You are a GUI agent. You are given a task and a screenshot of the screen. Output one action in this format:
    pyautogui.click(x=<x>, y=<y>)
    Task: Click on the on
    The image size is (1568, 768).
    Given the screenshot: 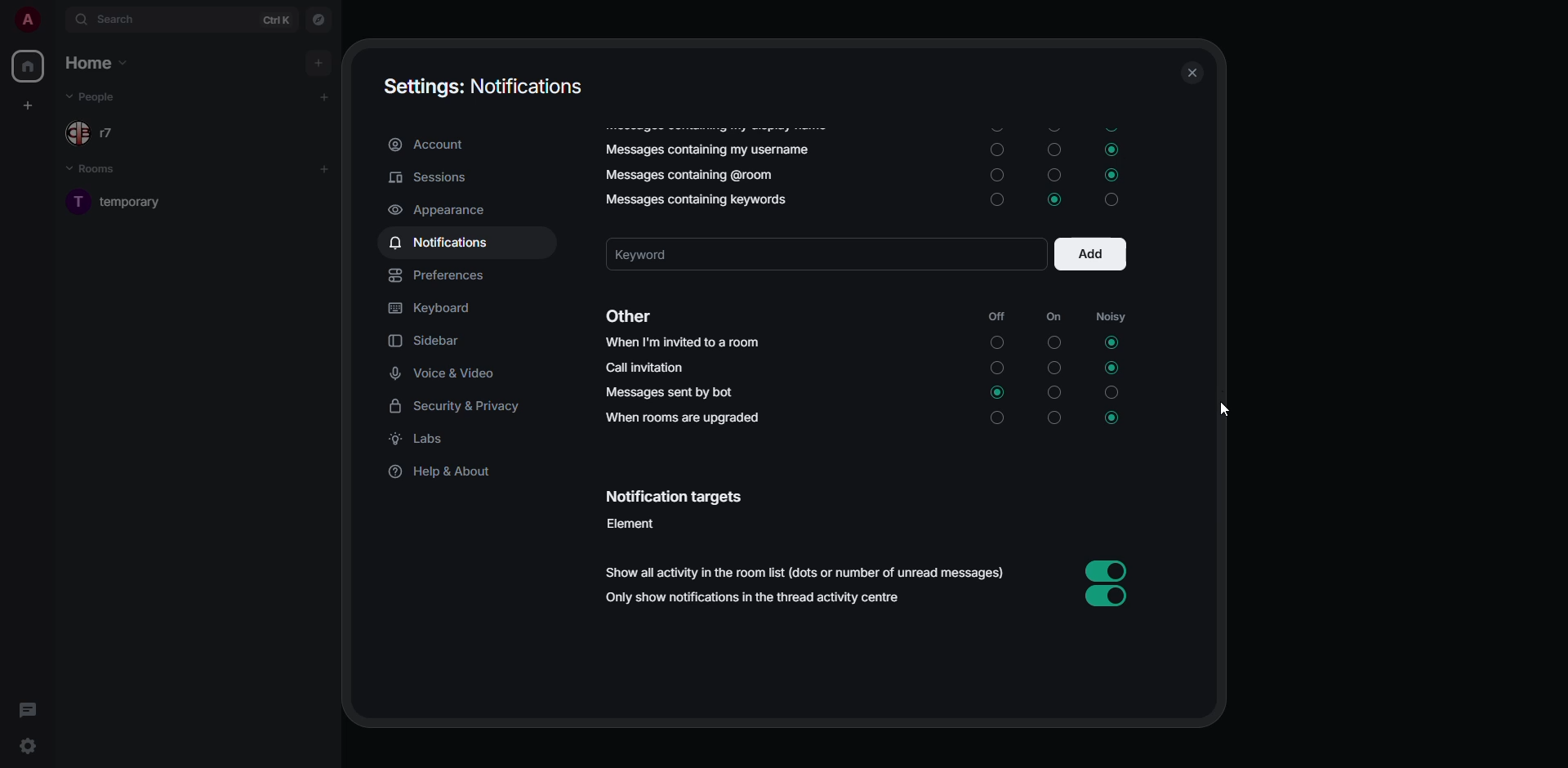 What is the action you would take?
    pyautogui.click(x=1000, y=421)
    